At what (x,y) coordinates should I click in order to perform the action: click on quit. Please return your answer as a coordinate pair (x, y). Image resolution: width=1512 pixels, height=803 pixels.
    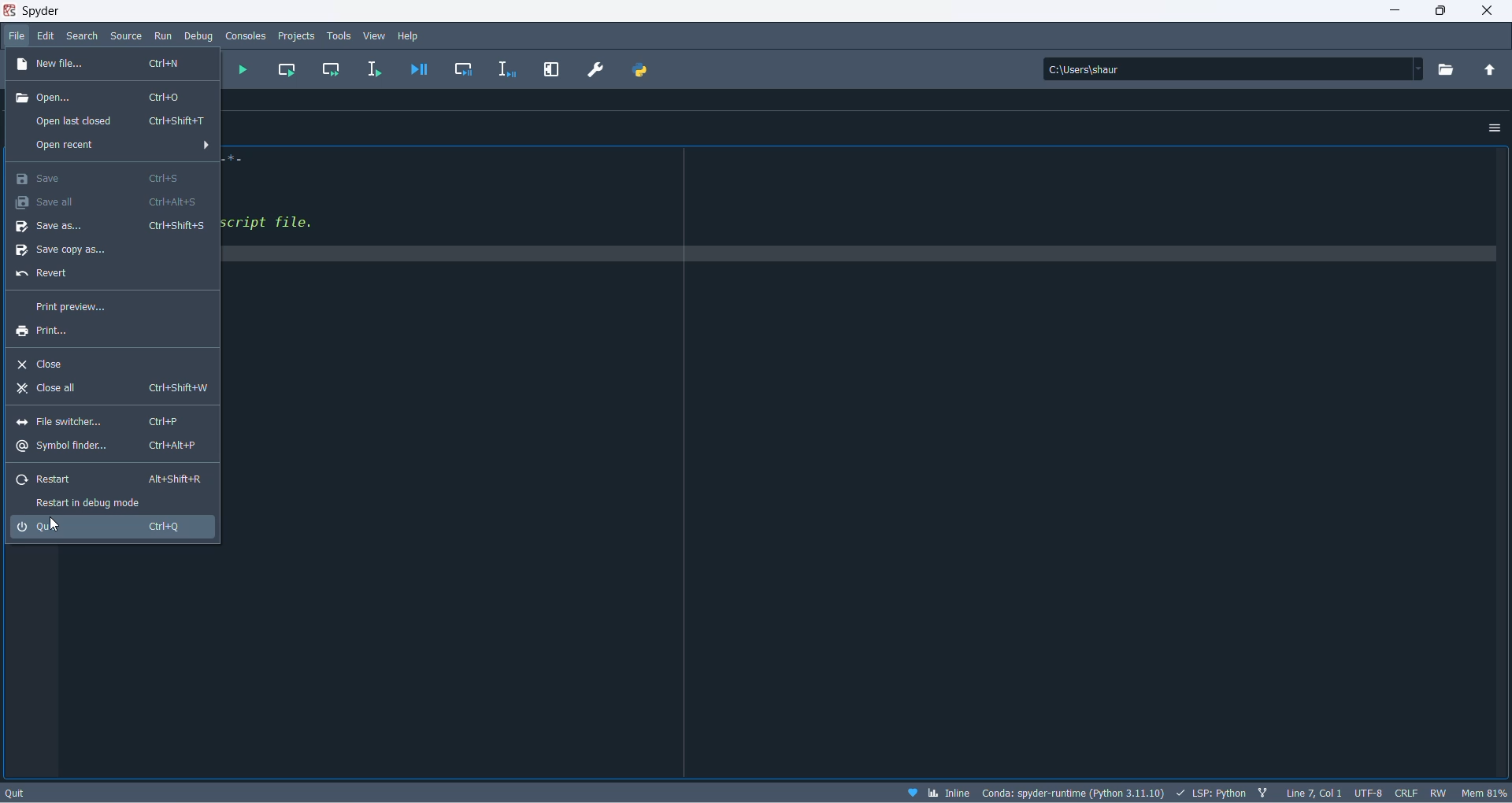
    Looking at the image, I should click on (25, 790).